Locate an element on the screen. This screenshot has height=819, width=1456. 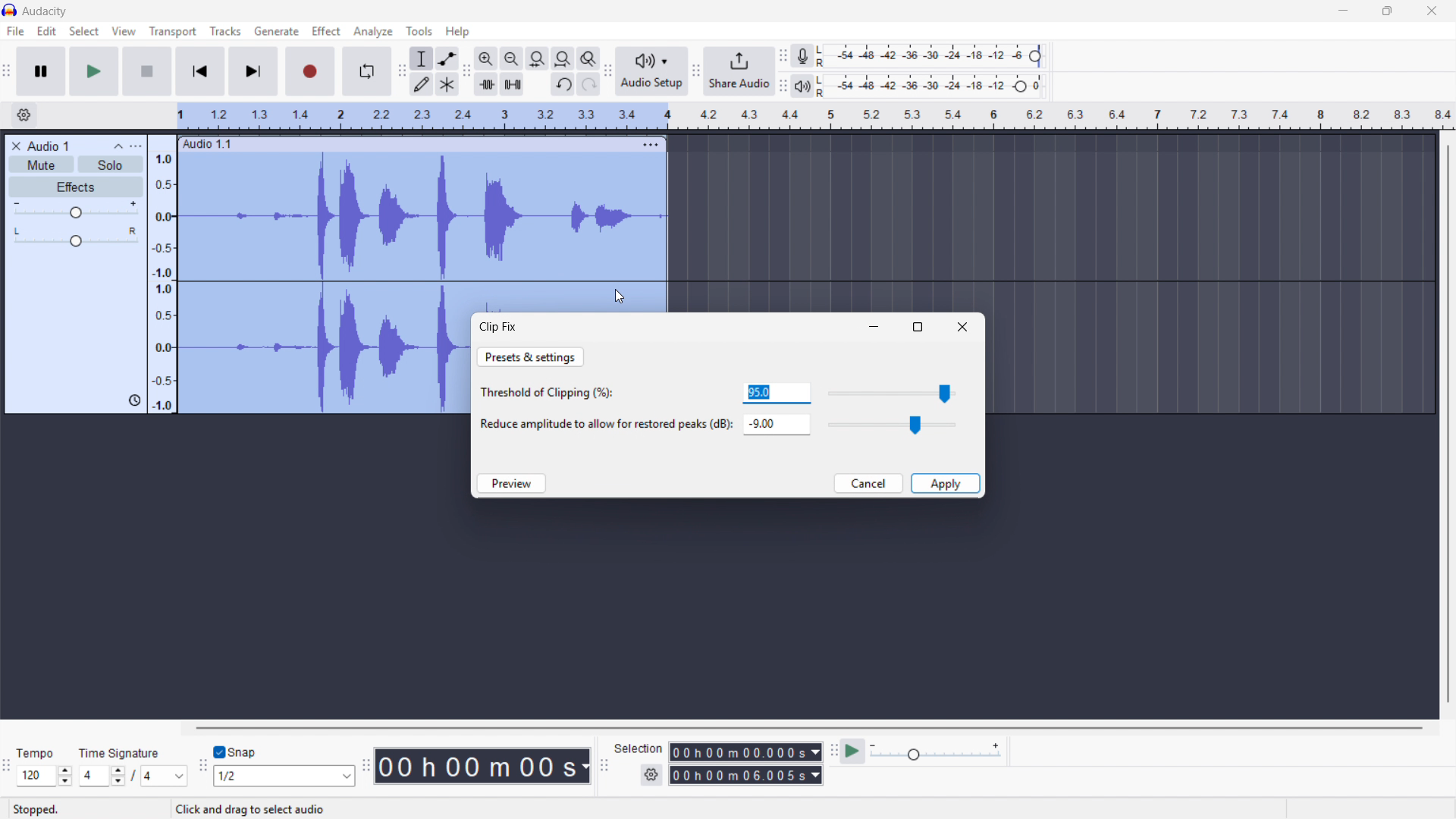
pan is located at coordinates (75, 237).